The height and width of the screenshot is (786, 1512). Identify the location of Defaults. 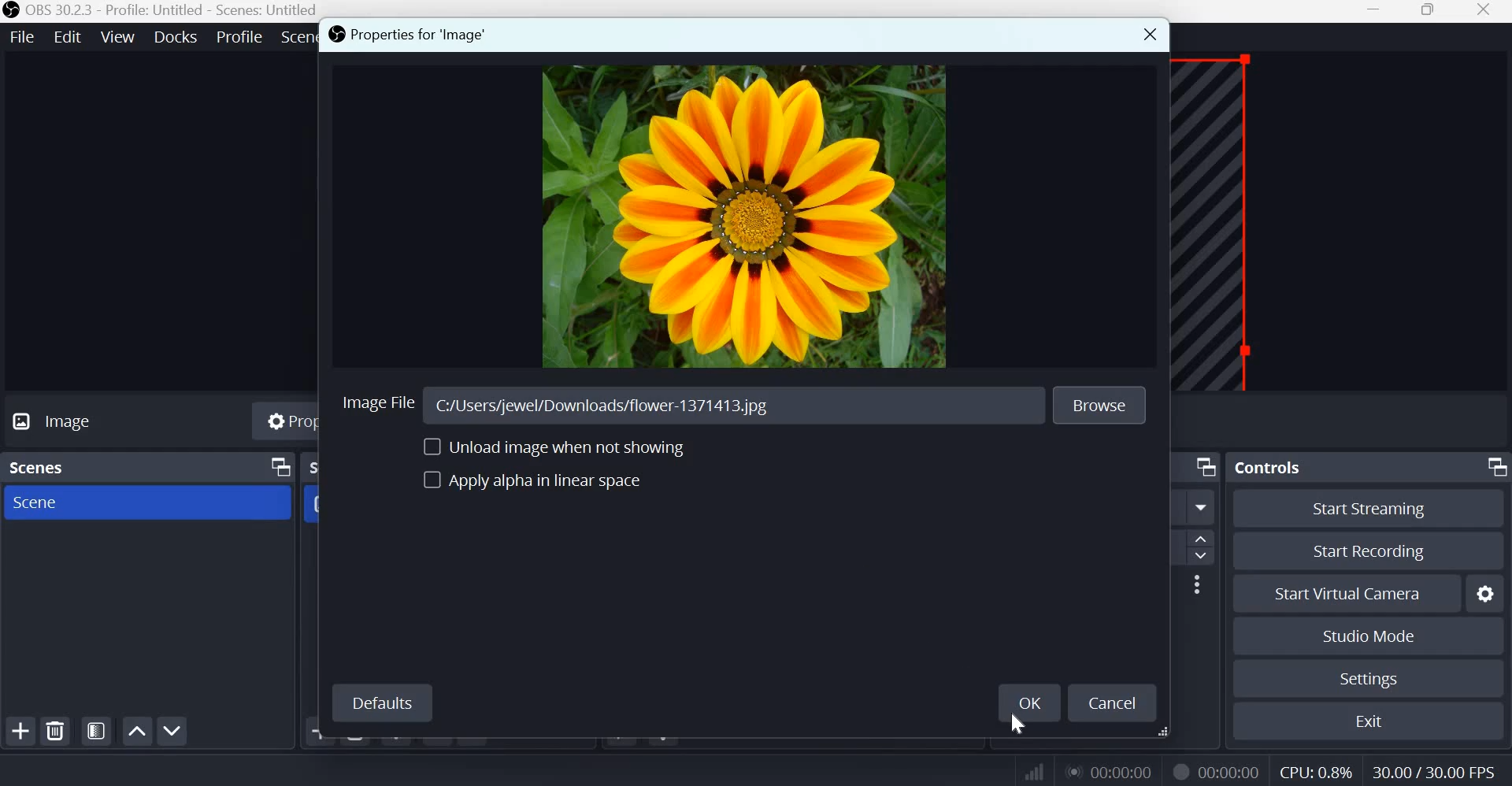
(381, 704).